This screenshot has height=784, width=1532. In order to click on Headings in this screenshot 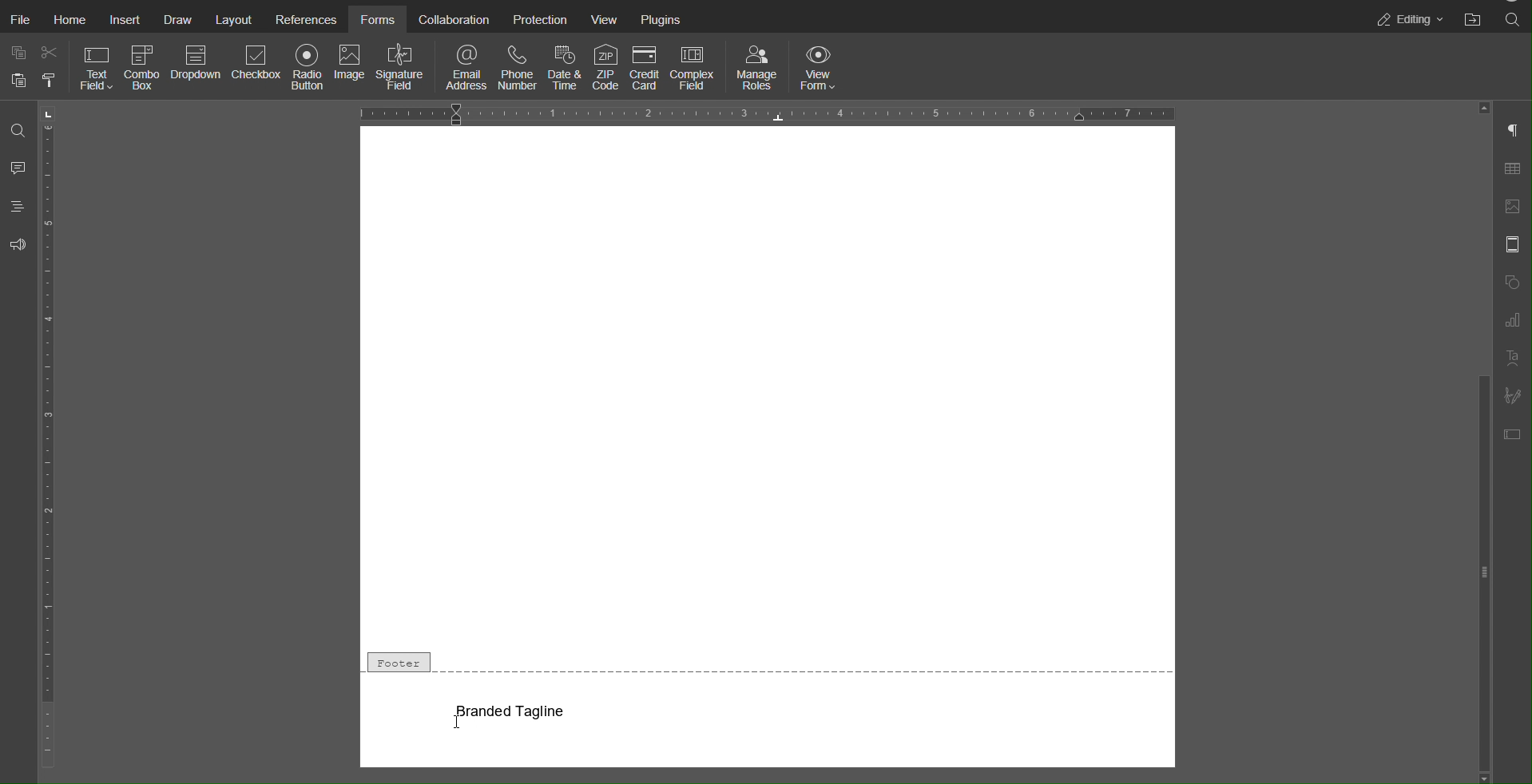, I will do `click(18, 206)`.